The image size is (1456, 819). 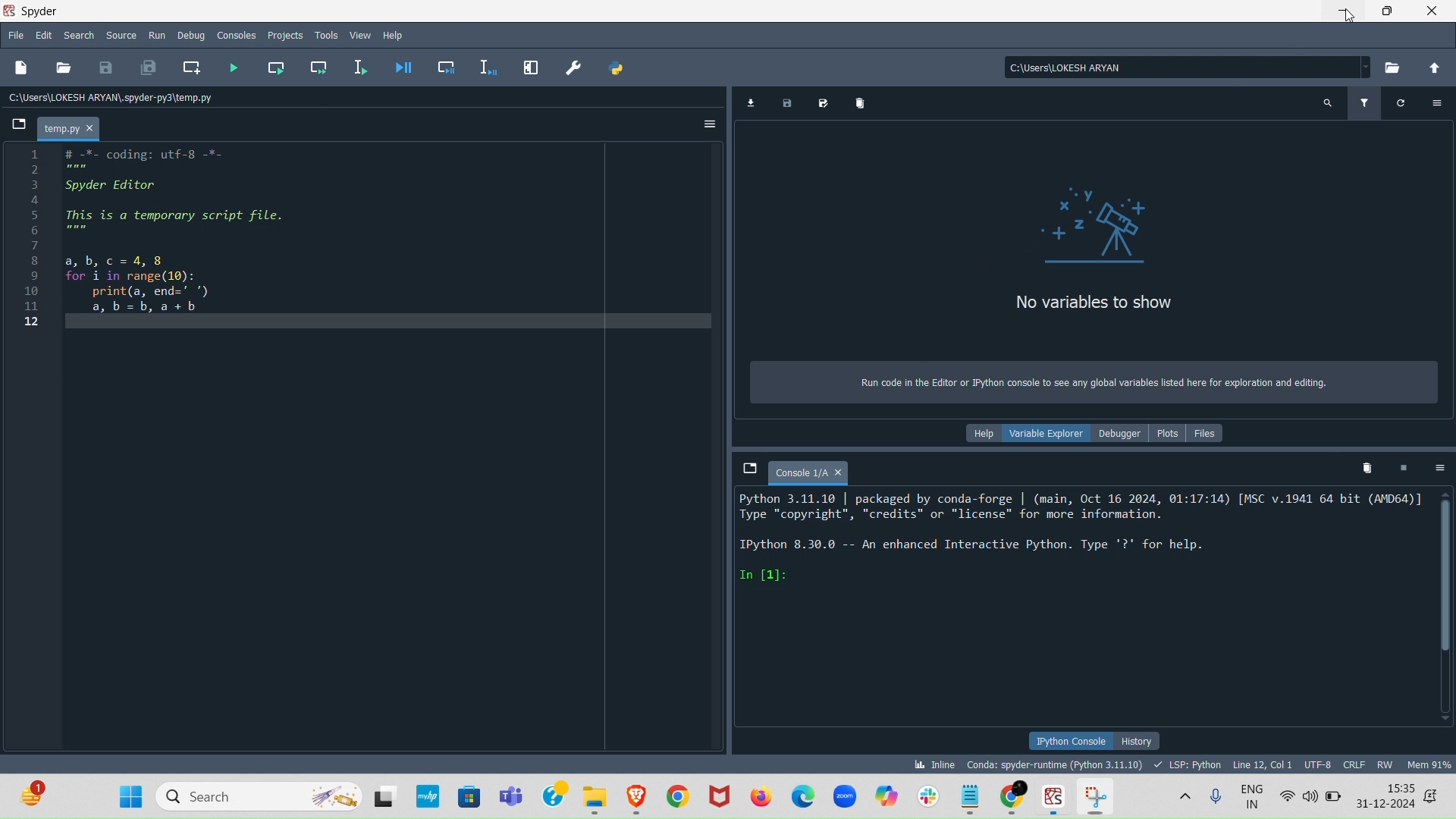 I want to click on Cursor position, so click(x=1260, y=764).